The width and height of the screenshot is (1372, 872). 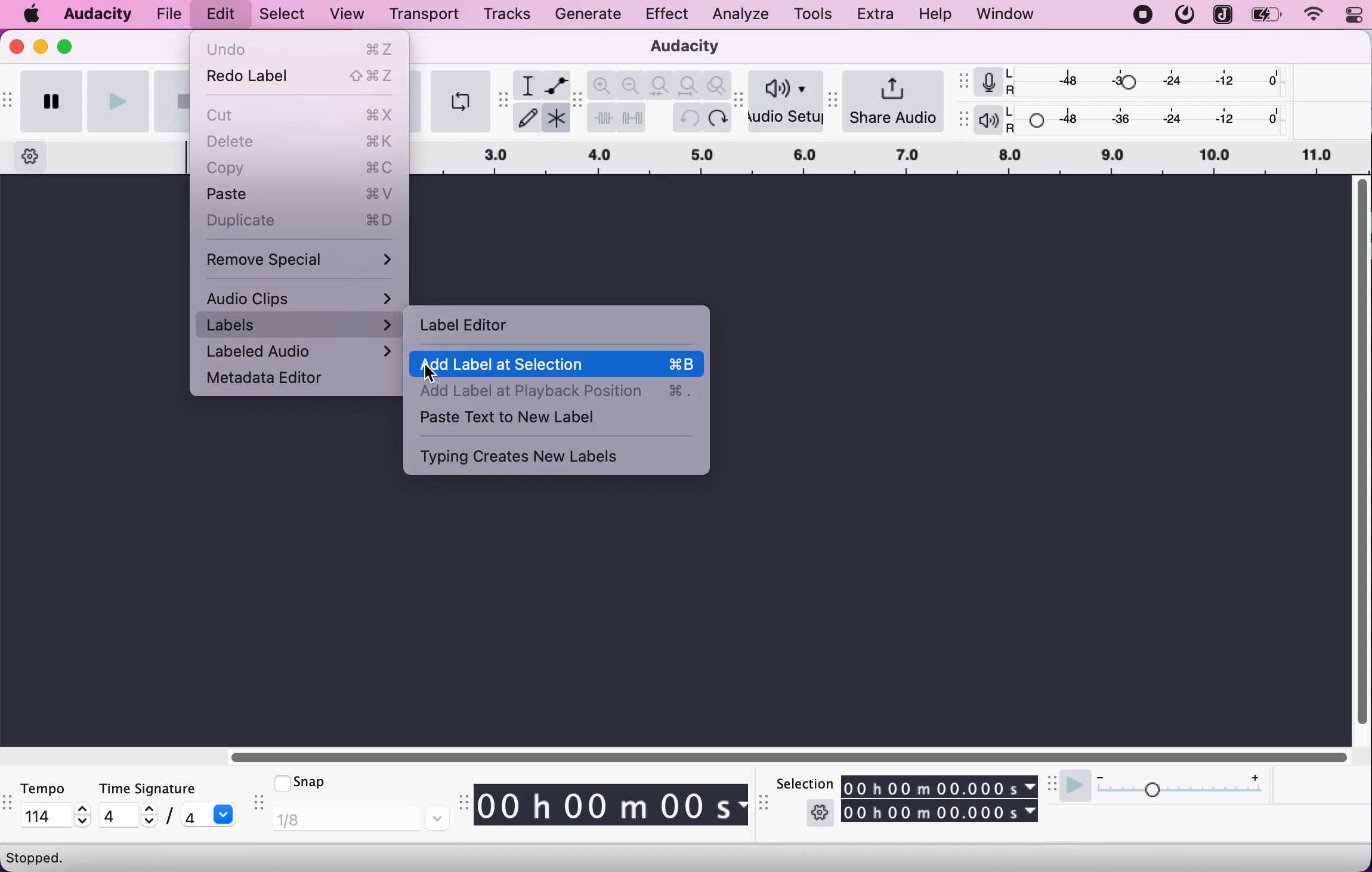 I want to click on timeline options, so click(x=31, y=157).